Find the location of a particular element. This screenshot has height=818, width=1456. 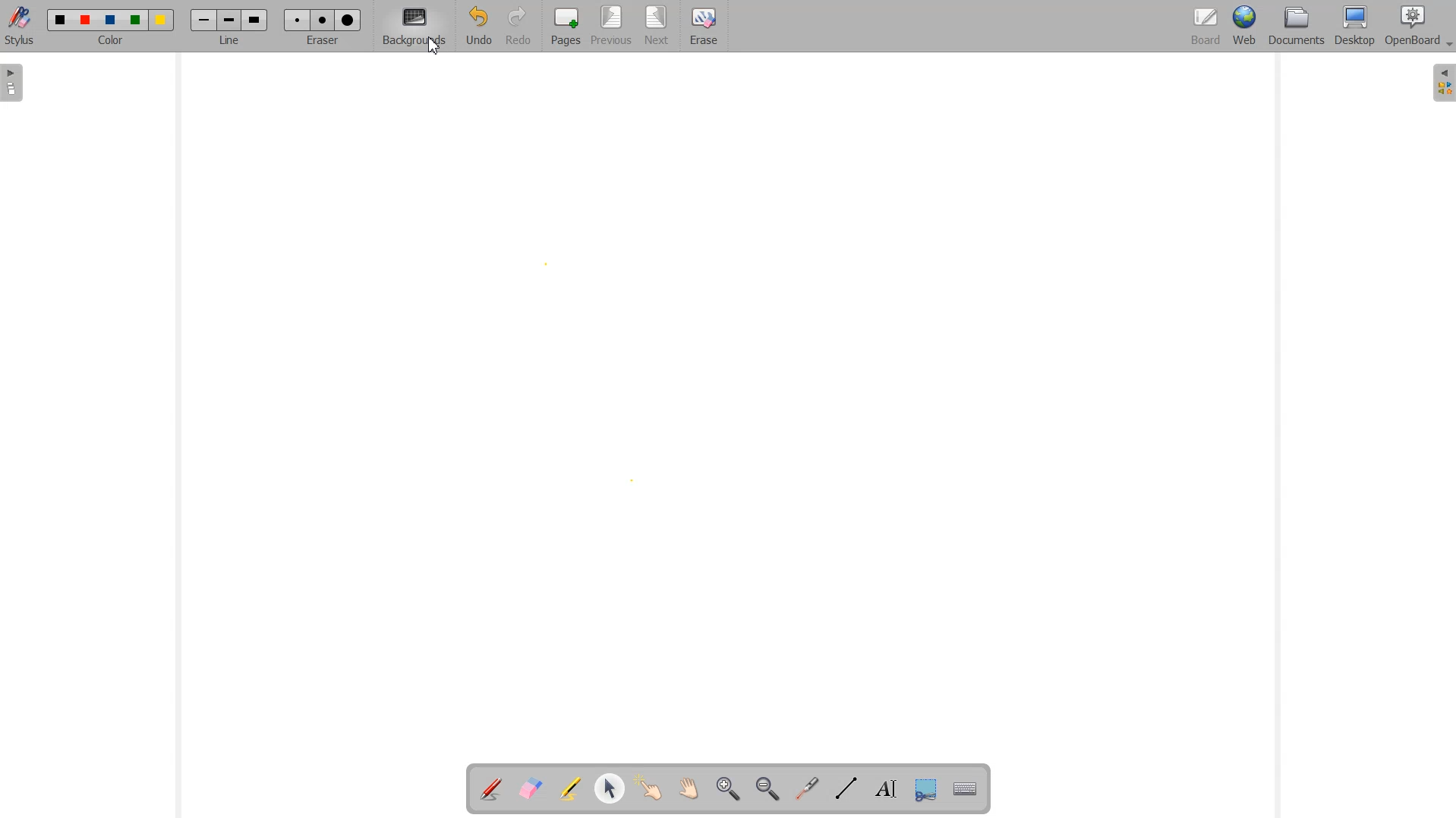

Undo is located at coordinates (478, 27).